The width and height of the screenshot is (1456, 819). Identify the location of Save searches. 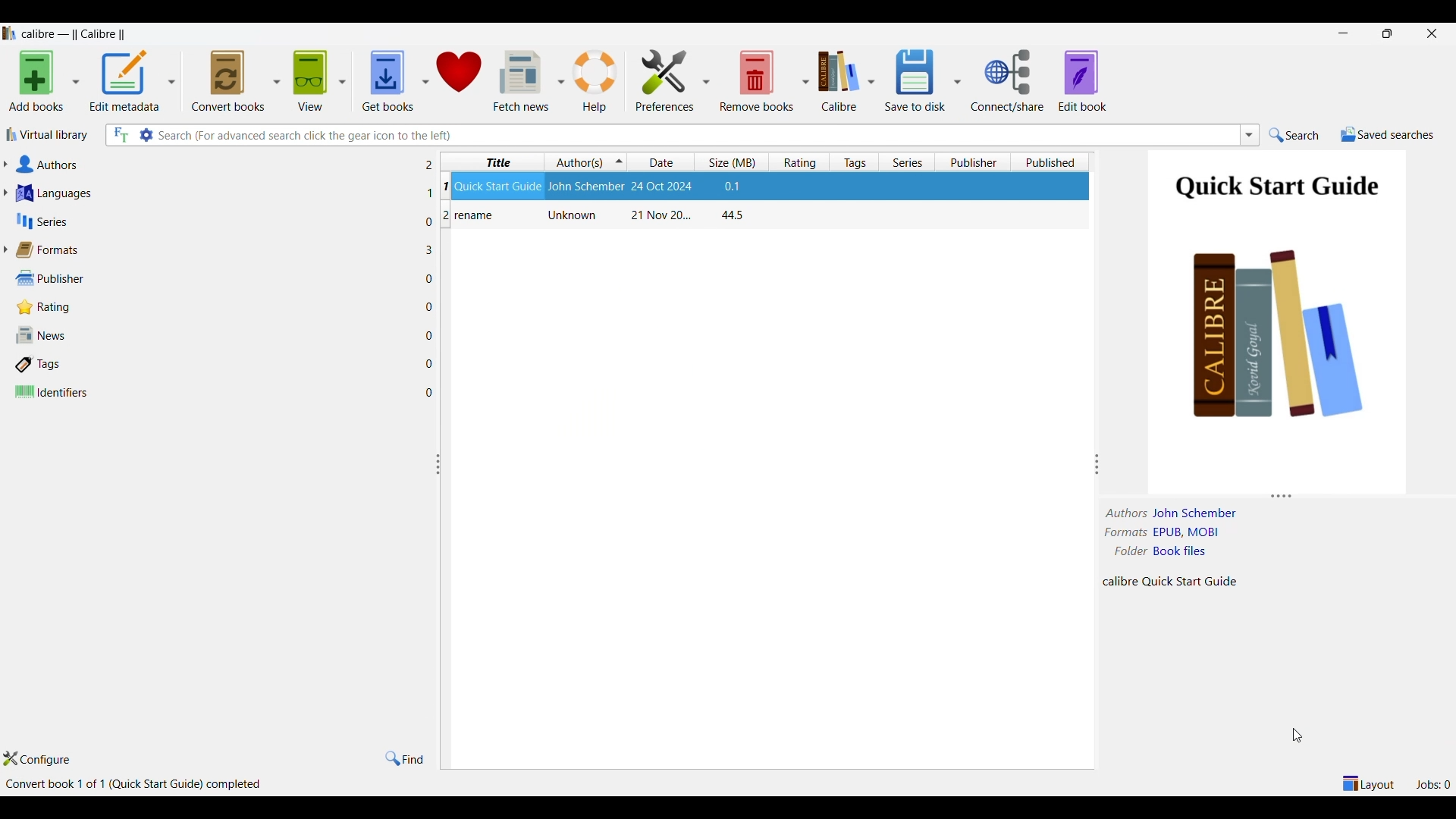
(1387, 135).